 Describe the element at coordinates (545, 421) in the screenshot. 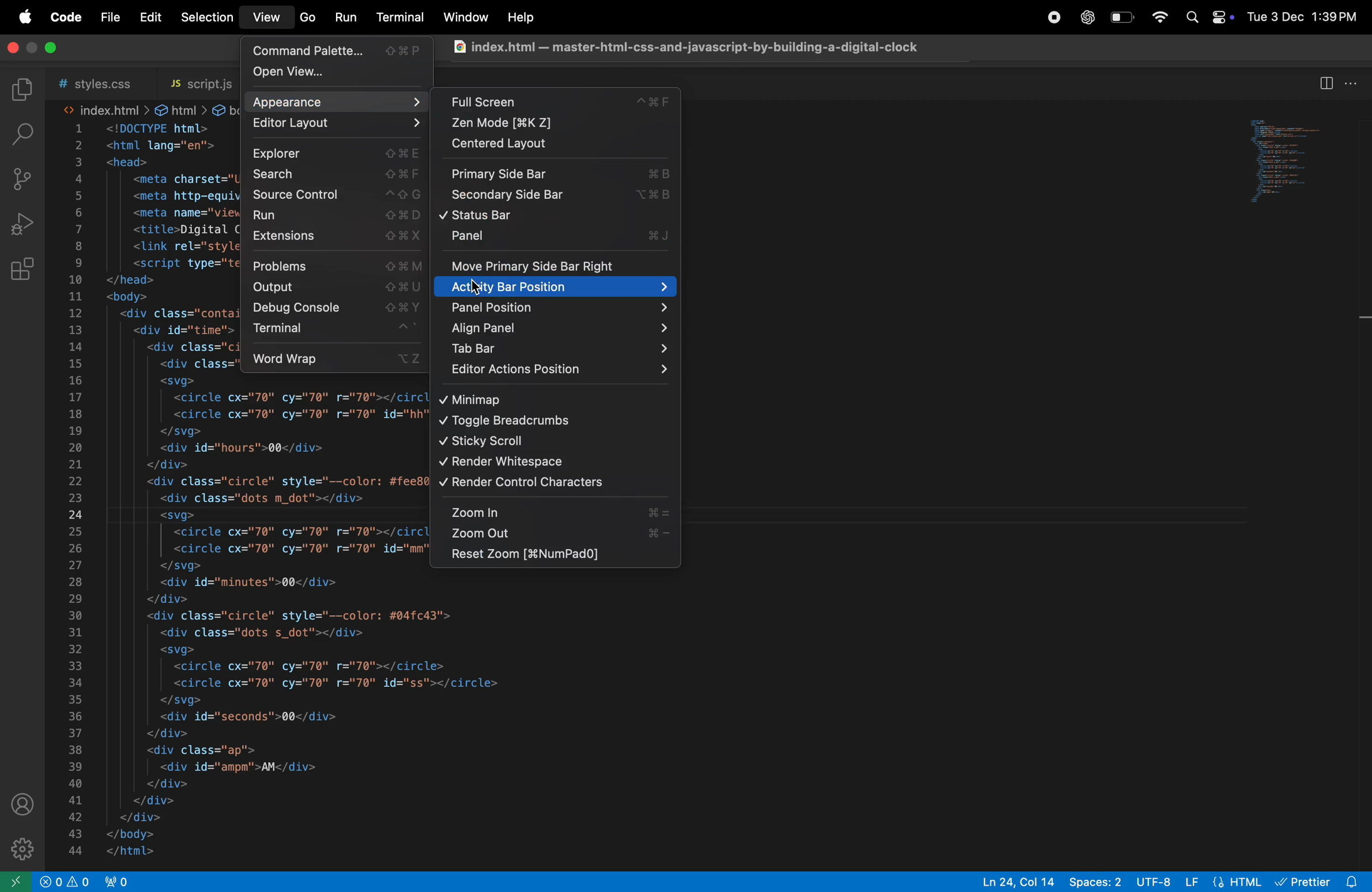

I see `toggle bread crumbs` at that location.